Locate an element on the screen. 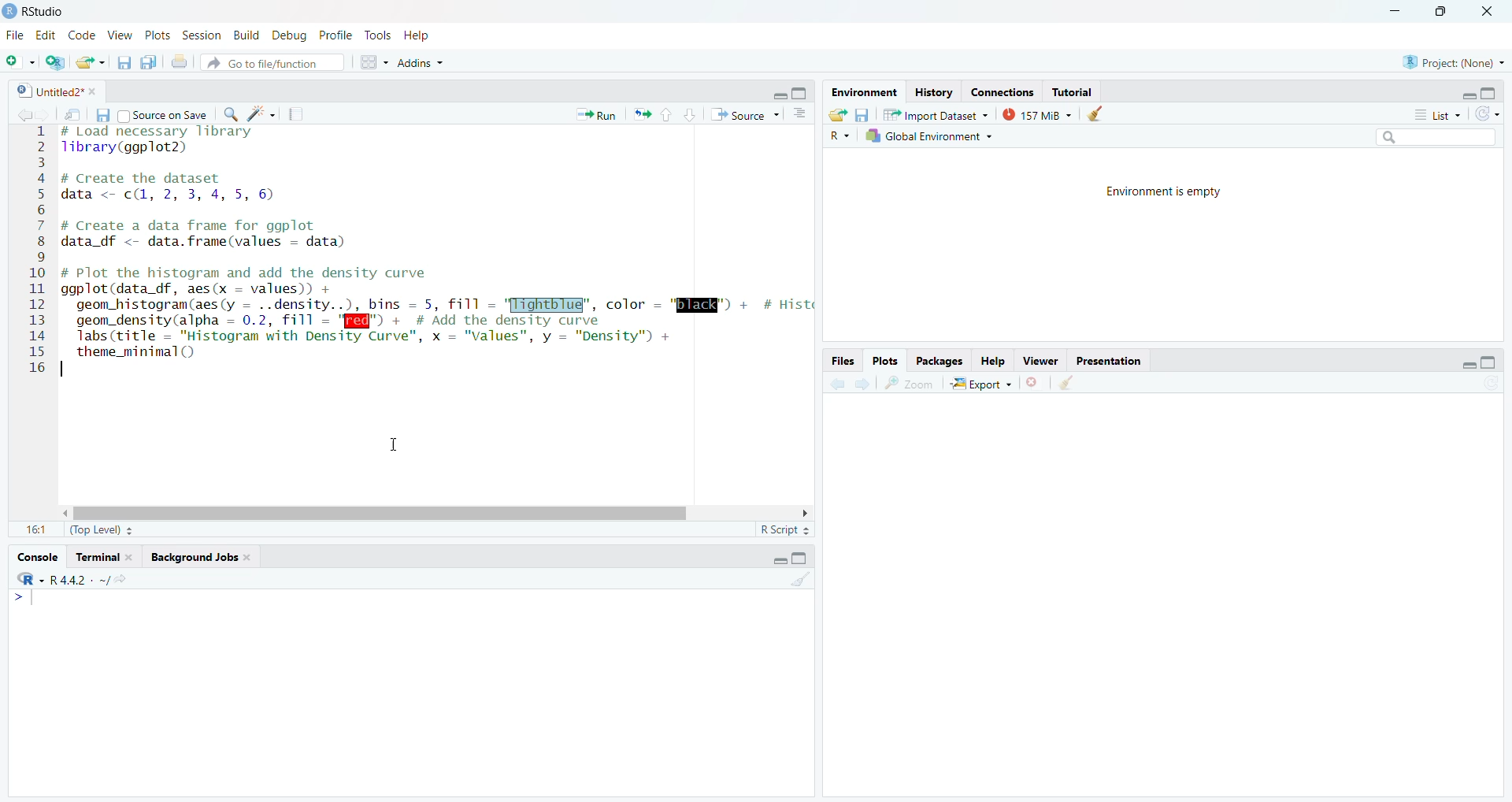 This screenshot has width=1512, height=802. go forward to next source location is located at coordinates (46, 114).